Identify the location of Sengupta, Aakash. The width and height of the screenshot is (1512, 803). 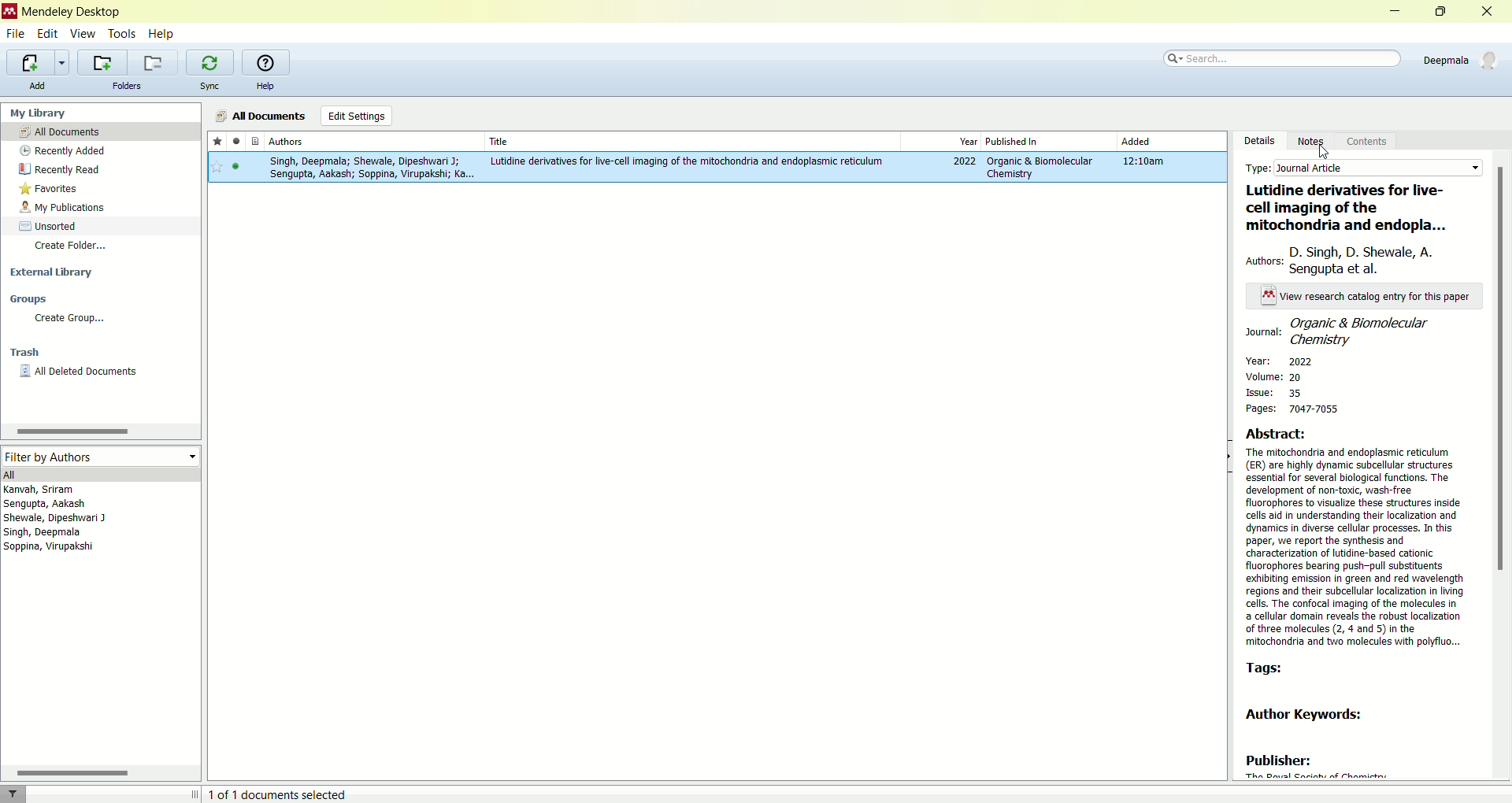
(81, 504).